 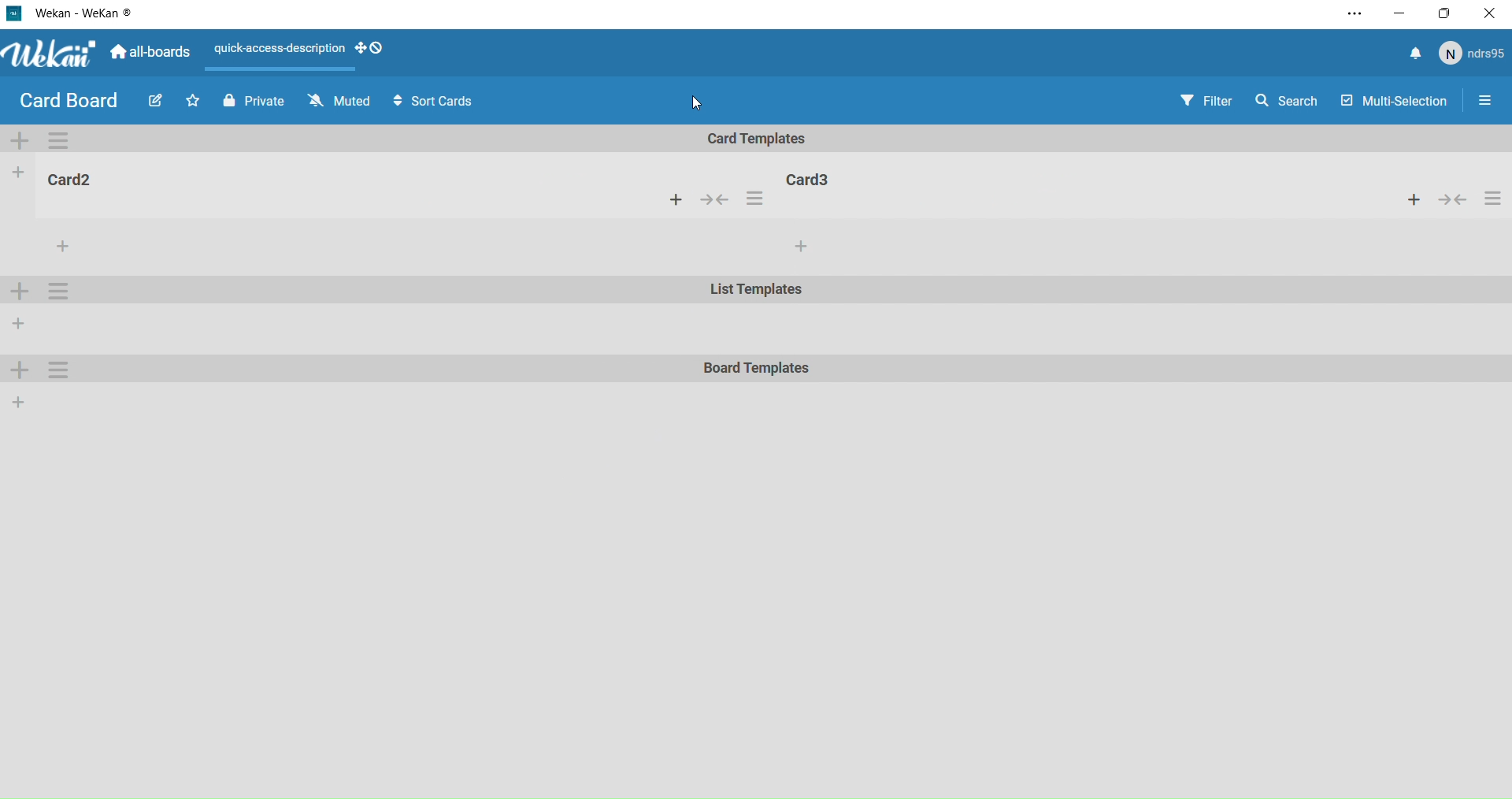 What do you see at coordinates (19, 290) in the screenshot?
I see `add` at bounding box center [19, 290].